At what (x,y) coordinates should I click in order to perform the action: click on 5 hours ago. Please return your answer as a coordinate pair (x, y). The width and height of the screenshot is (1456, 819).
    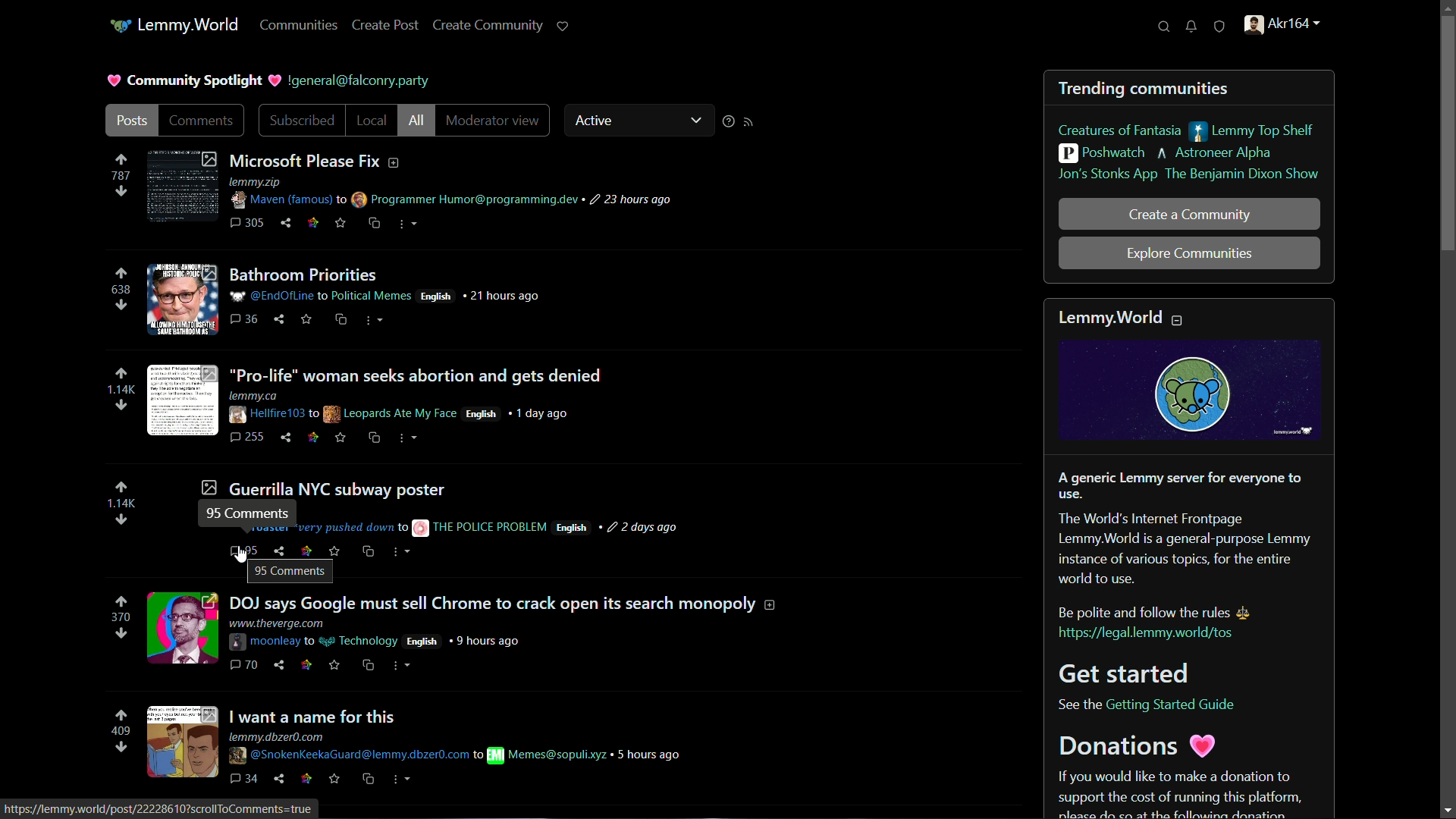
    Looking at the image, I should click on (650, 755).